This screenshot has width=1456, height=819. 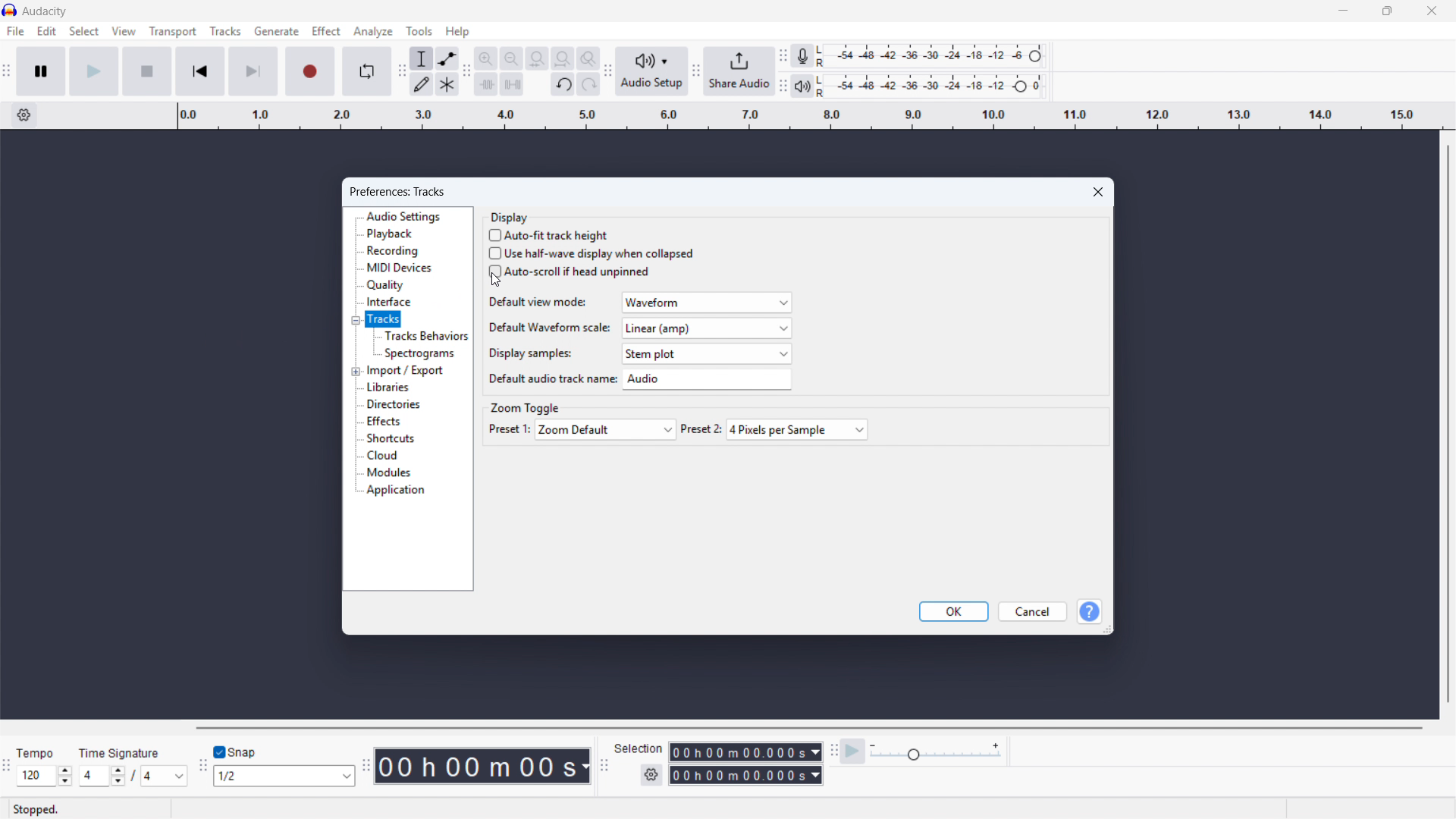 What do you see at coordinates (393, 404) in the screenshot?
I see `directories` at bounding box center [393, 404].